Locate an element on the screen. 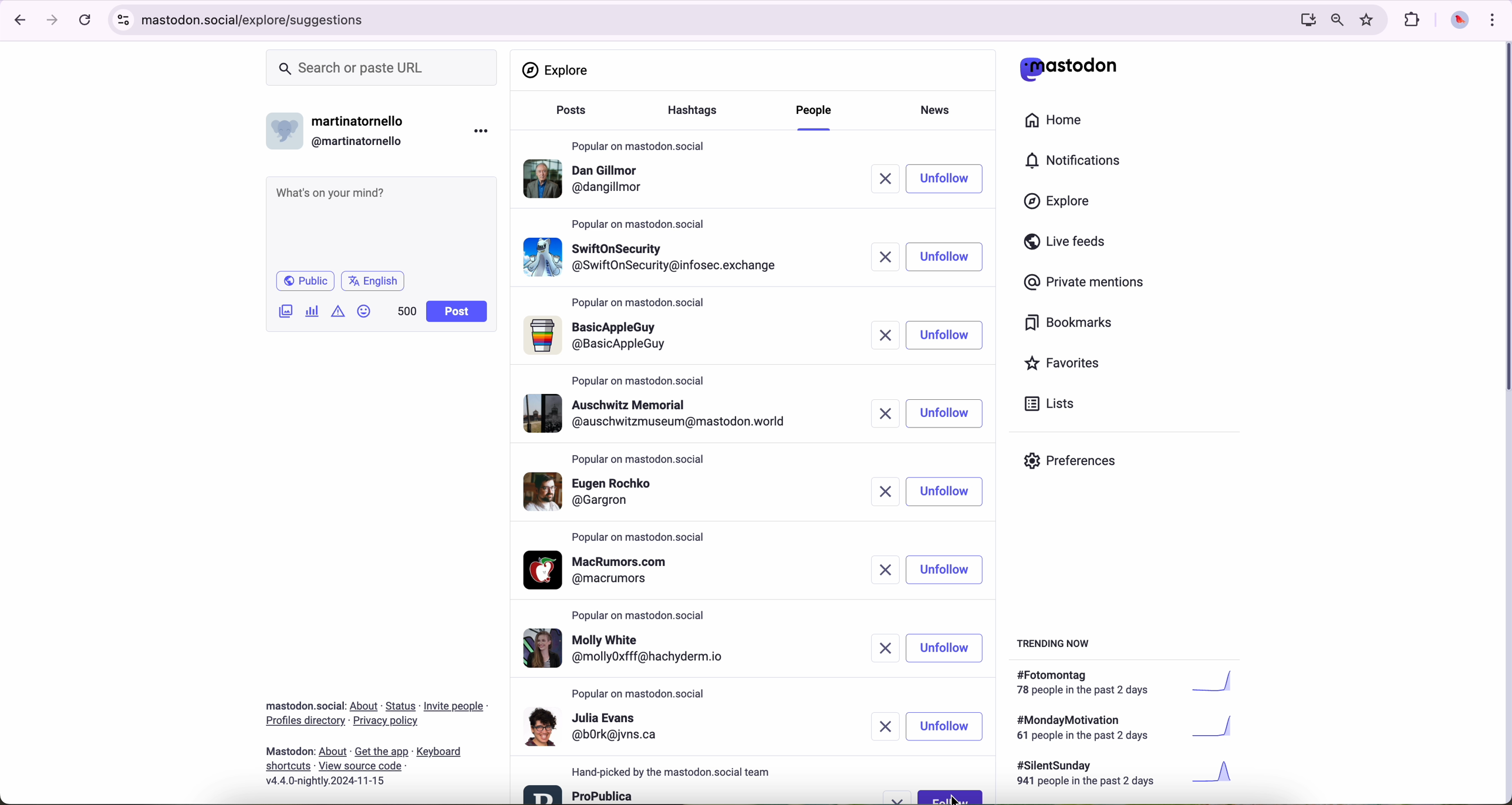 Image resolution: width=1512 pixels, height=805 pixels. icon is located at coordinates (339, 311).